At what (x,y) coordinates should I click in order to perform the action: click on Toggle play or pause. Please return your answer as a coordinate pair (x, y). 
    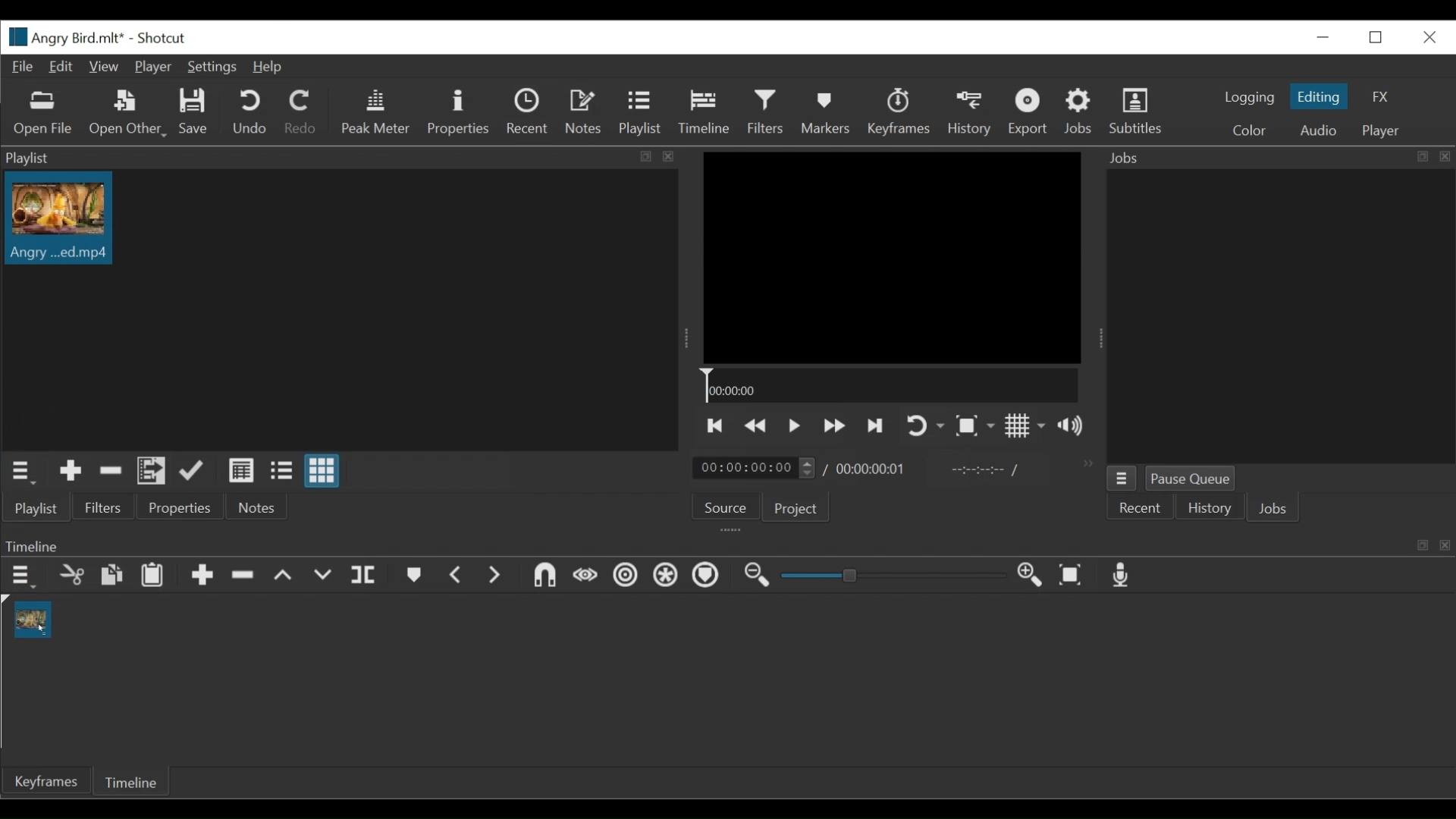
    Looking at the image, I should click on (798, 426).